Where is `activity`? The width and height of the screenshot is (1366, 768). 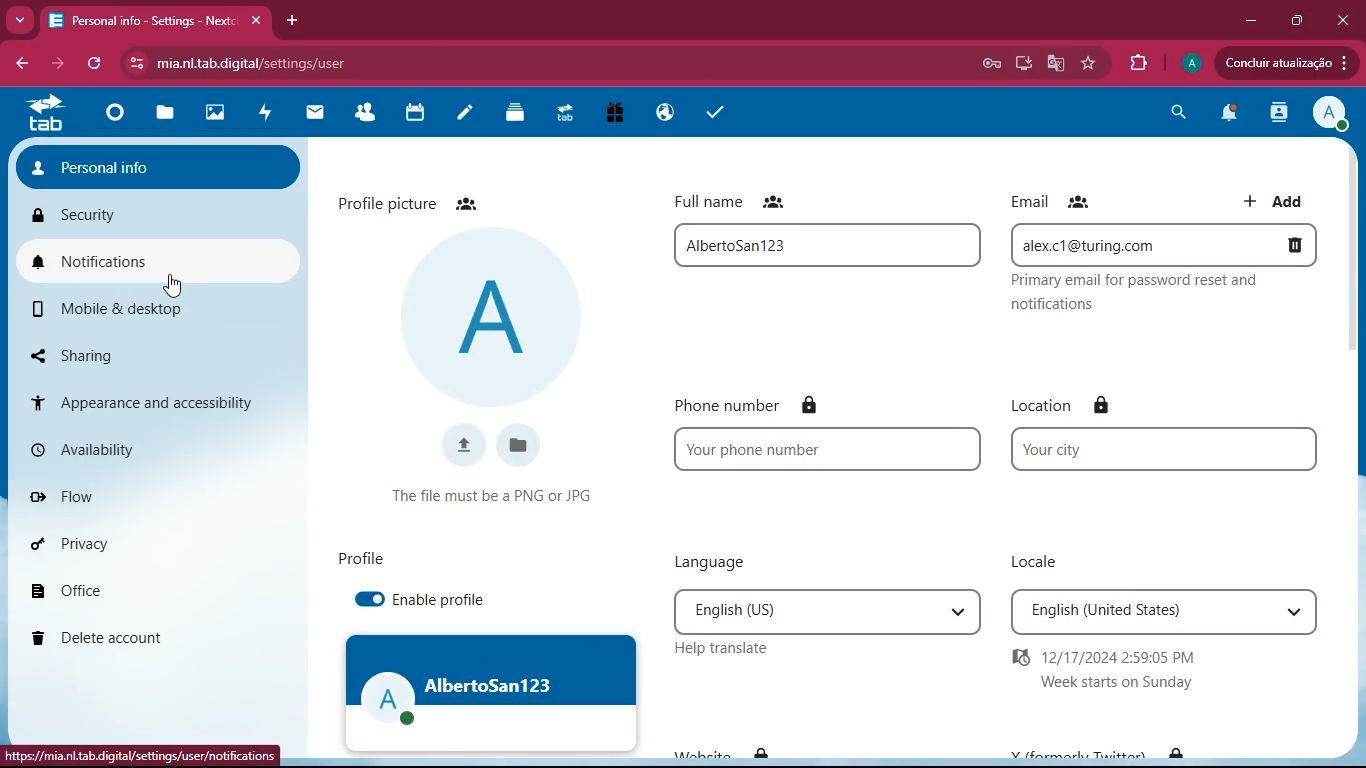 activity is located at coordinates (266, 116).